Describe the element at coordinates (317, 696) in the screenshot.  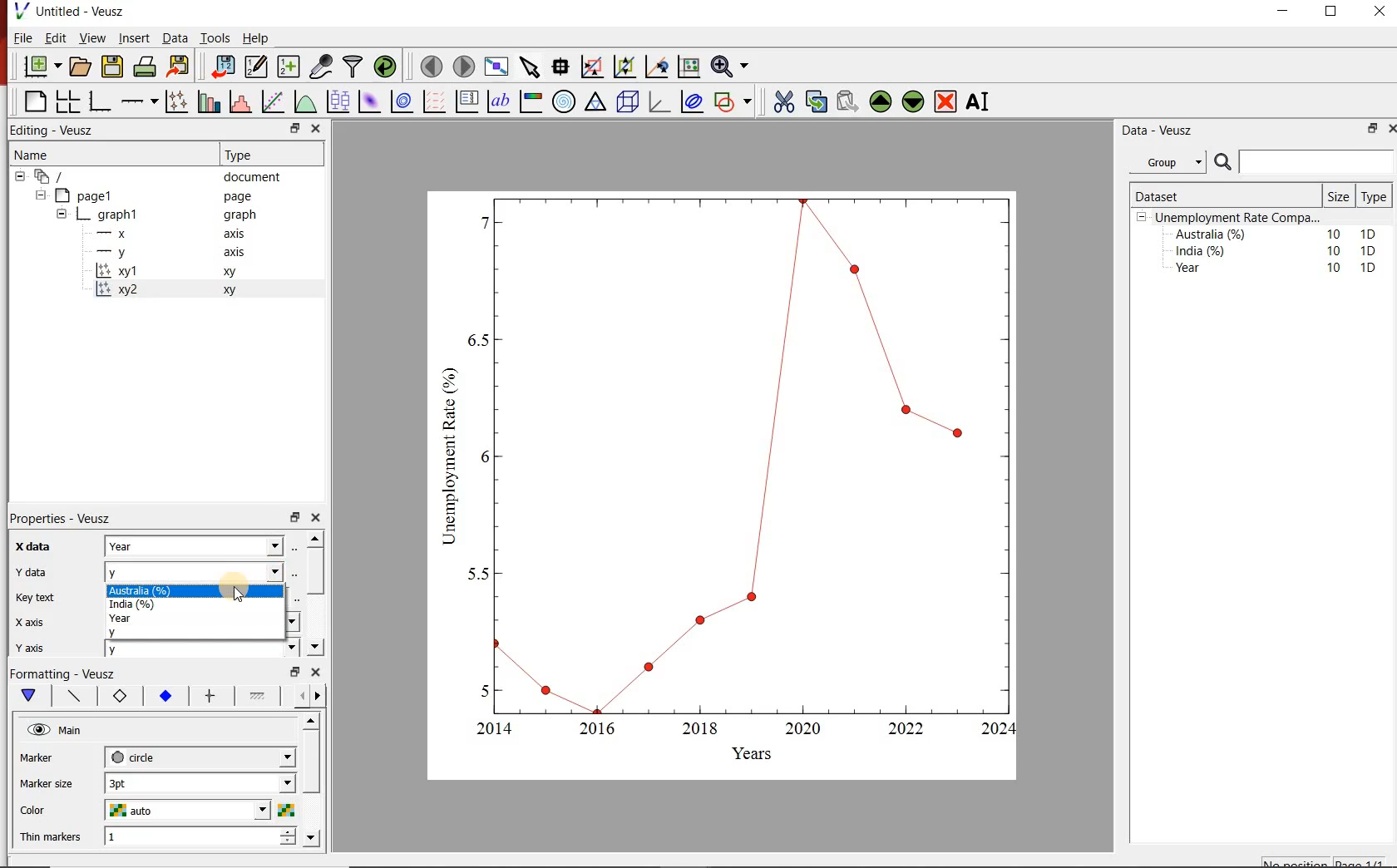
I see `move right` at that location.